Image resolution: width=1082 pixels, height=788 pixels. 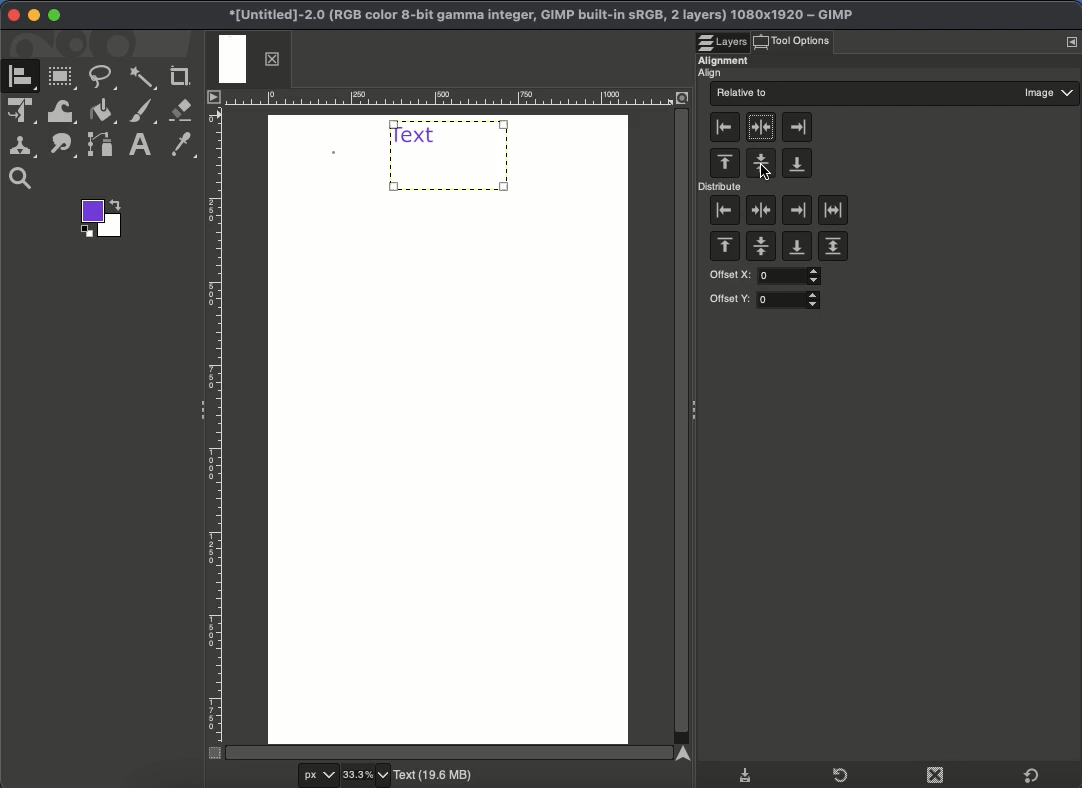 I want to click on Align to the center - horizontally, so click(x=760, y=164).